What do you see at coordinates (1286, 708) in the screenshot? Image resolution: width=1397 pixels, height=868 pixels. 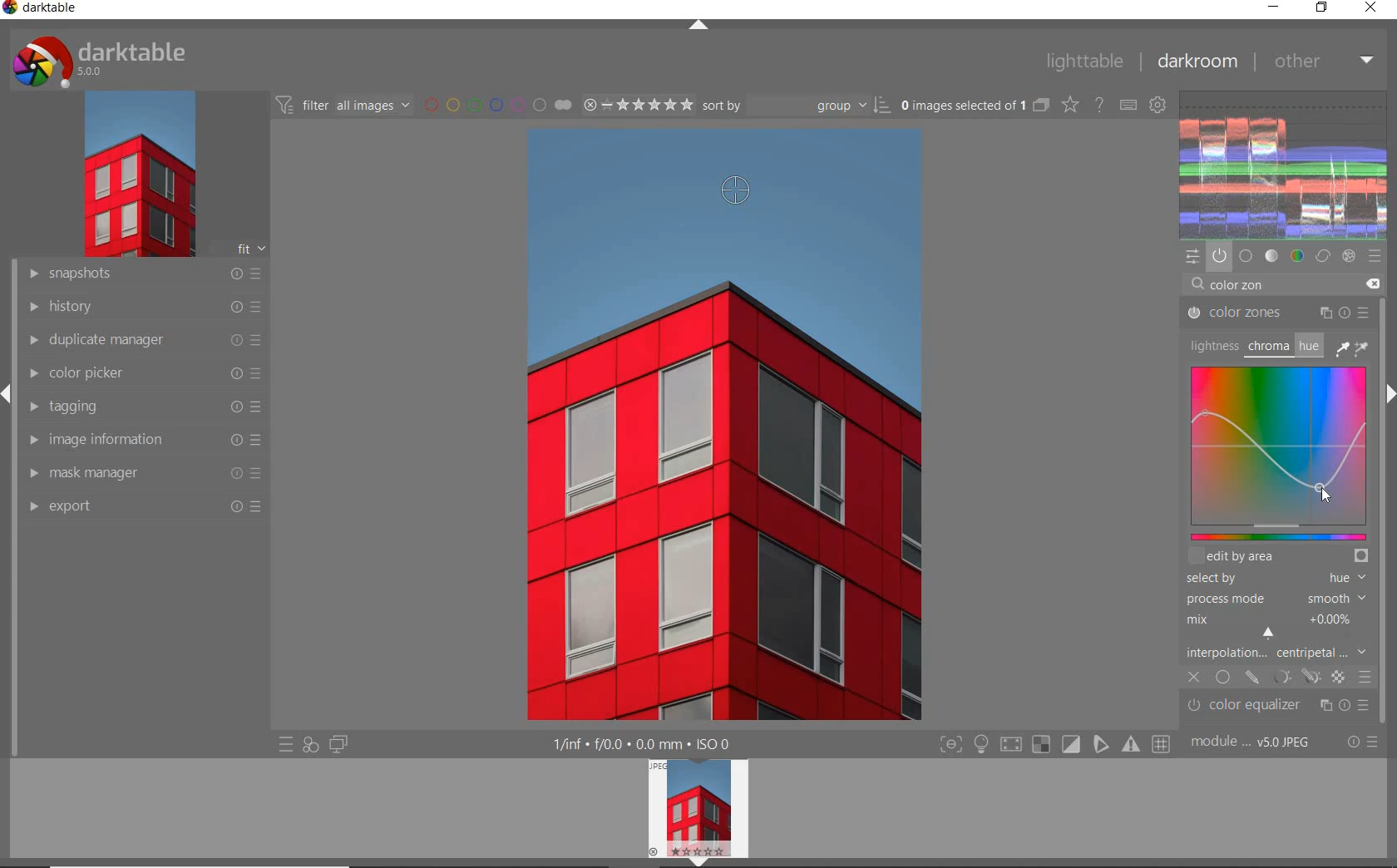 I see `color equalizer` at bounding box center [1286, 708].